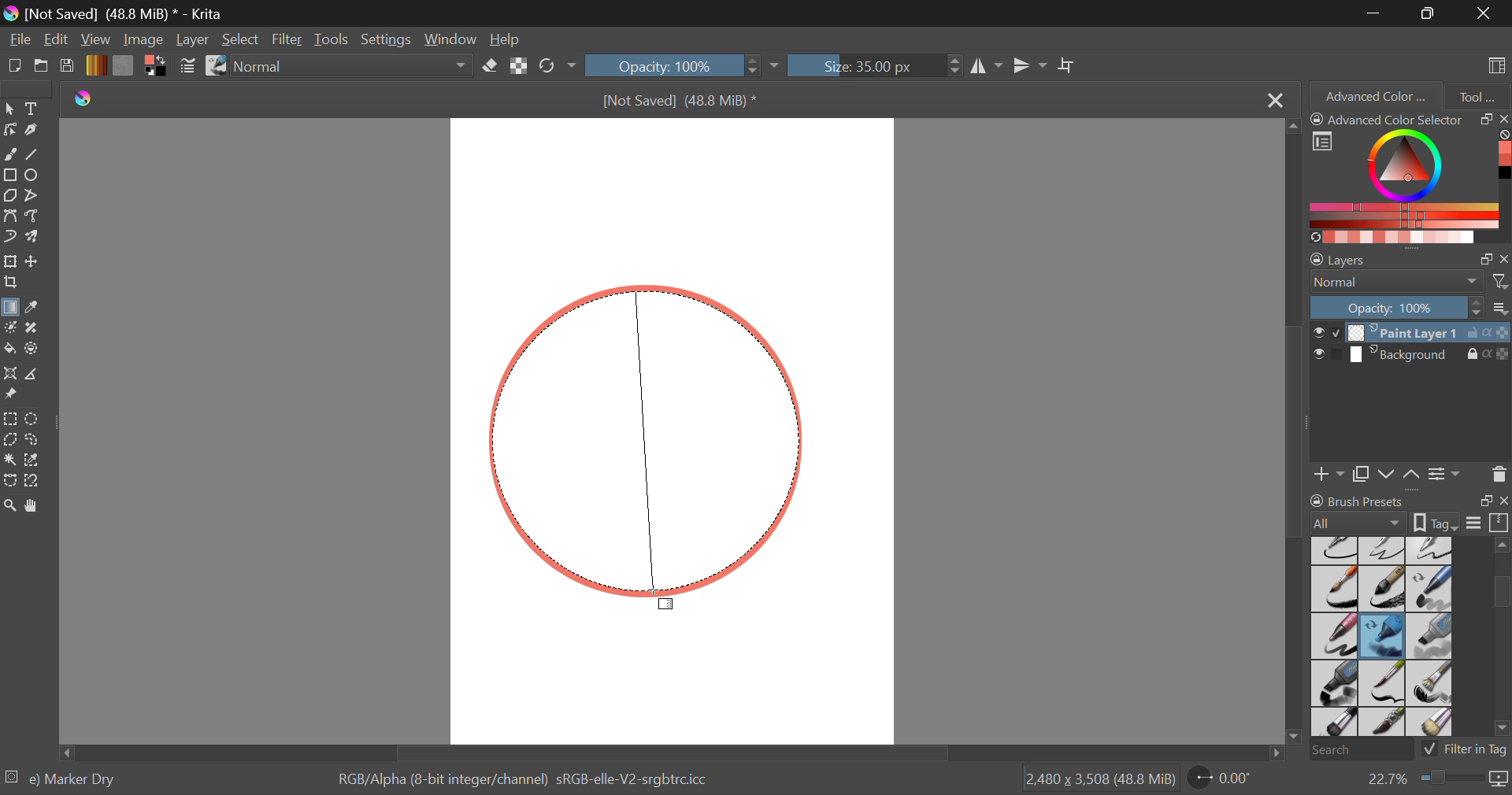 This screenshot has height=795, width=1512. What do you see at coordinates (672, 65) in the screenshot?
I see `Opacity 100%` at bounding box center [672, 65].